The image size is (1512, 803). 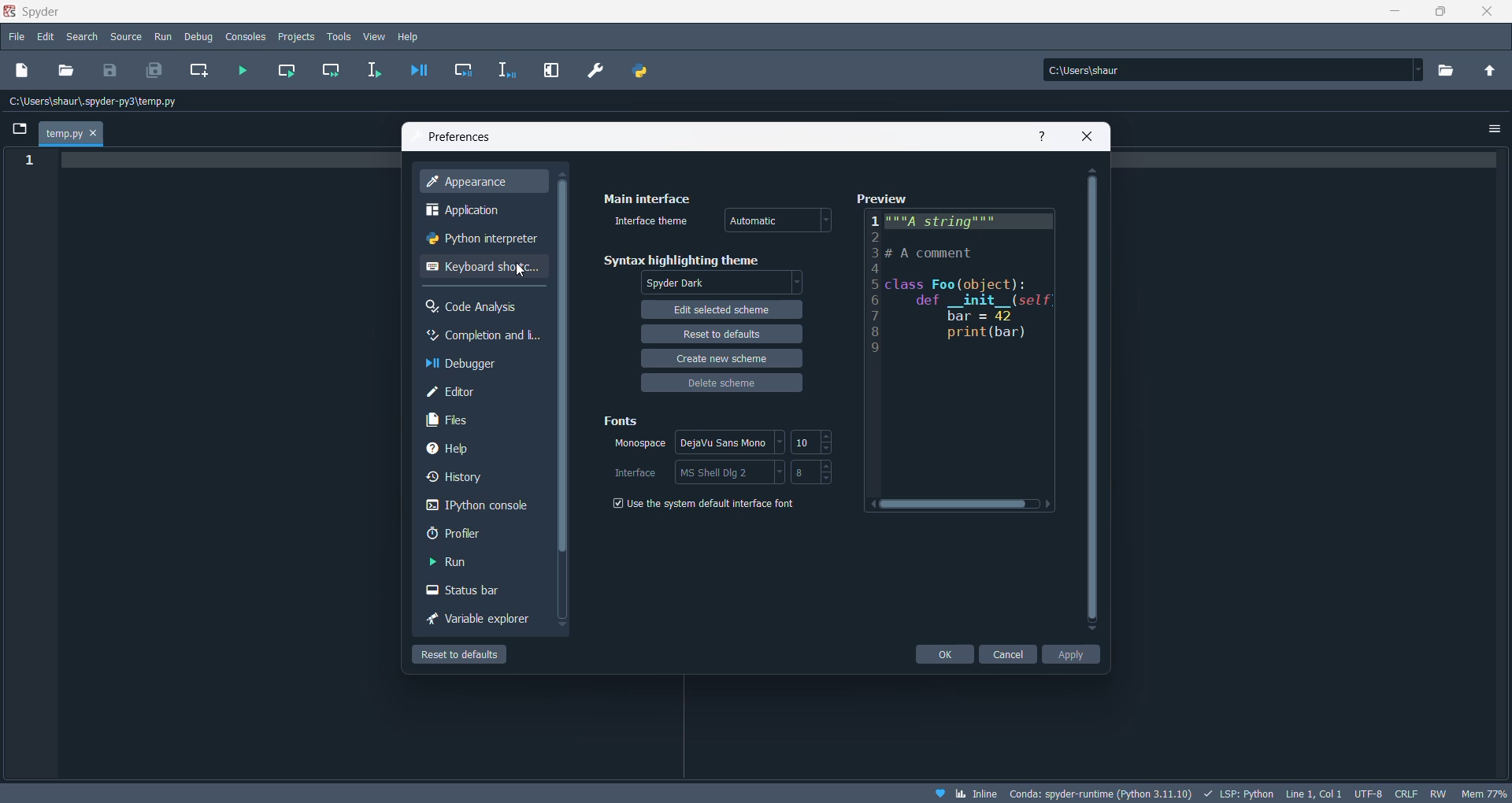 I want to click on cancel, so click(x=1009, y=653).